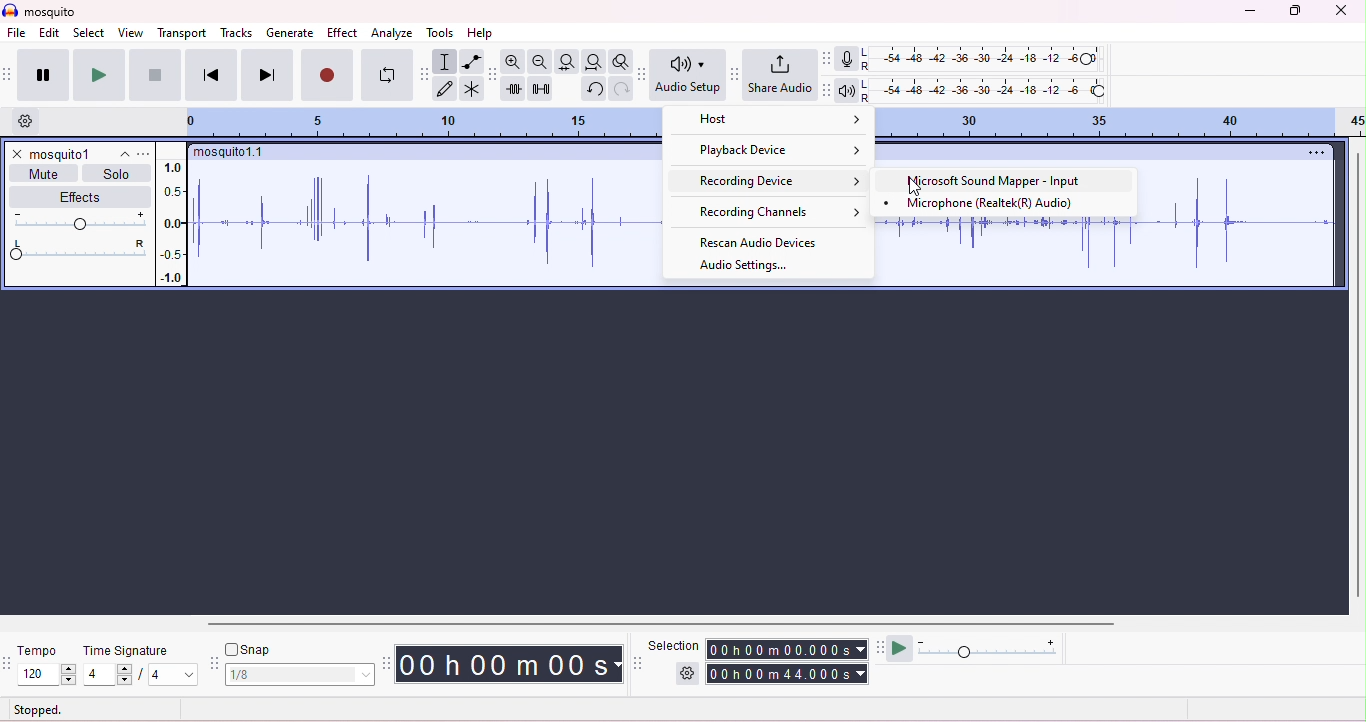 This screenshot has height=722, width=1366. Describe the element at coordinates (825, 58) in the screenshot. I see `recording meter tool bar` at that location.